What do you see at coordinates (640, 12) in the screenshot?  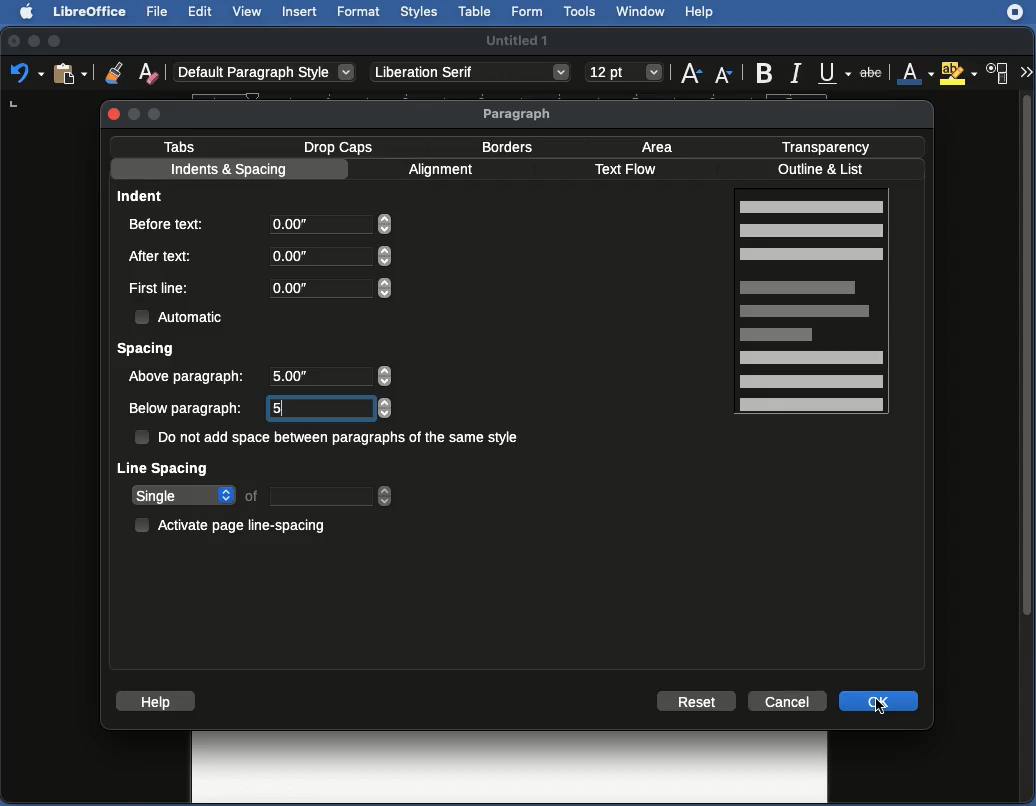 I see `Window` at bounding box center [640, 12].